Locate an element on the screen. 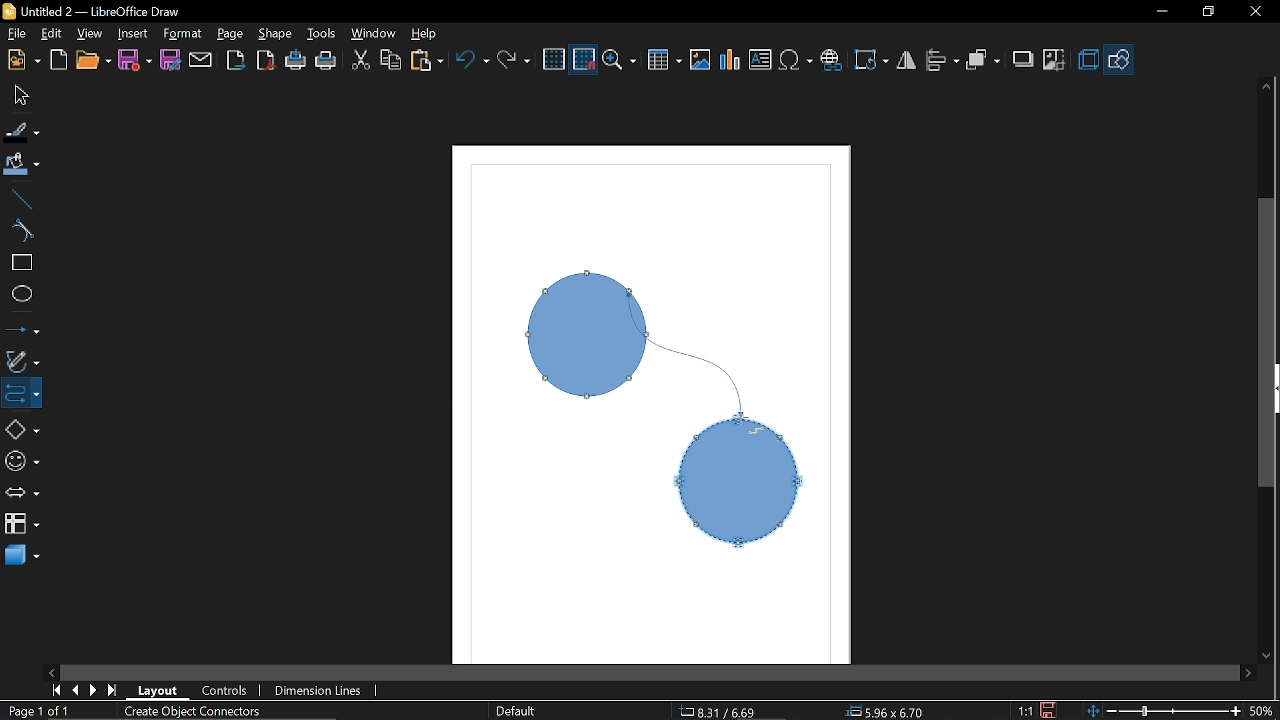 Image resolution: width=1280 pixels, height=720 pixels. Page style is located at coordinates (516, 712).